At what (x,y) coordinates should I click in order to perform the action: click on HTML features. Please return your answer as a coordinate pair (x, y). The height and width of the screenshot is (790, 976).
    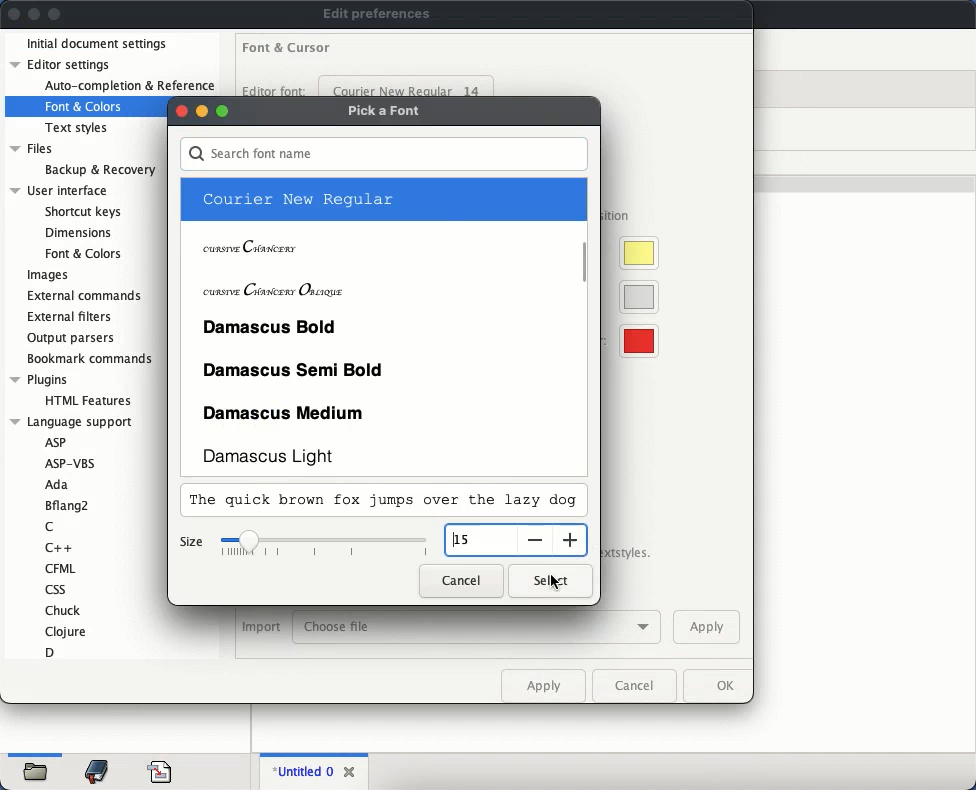
    Looking at the image, I should click on (91, 401).